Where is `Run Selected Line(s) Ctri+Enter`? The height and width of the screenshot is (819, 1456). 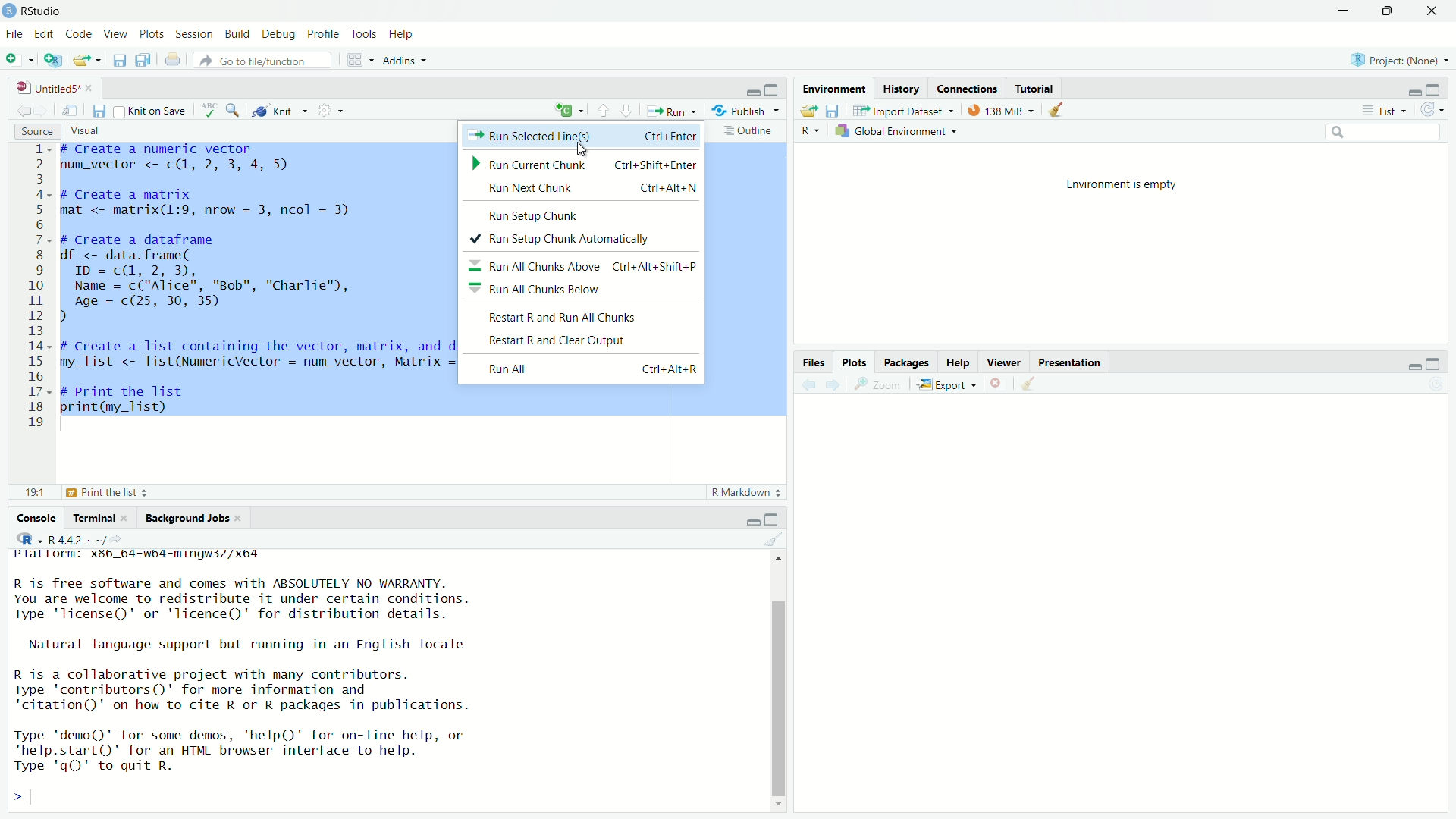
Run Selected Line(s) Ctri+Enter is located at coordinates (582, 134).